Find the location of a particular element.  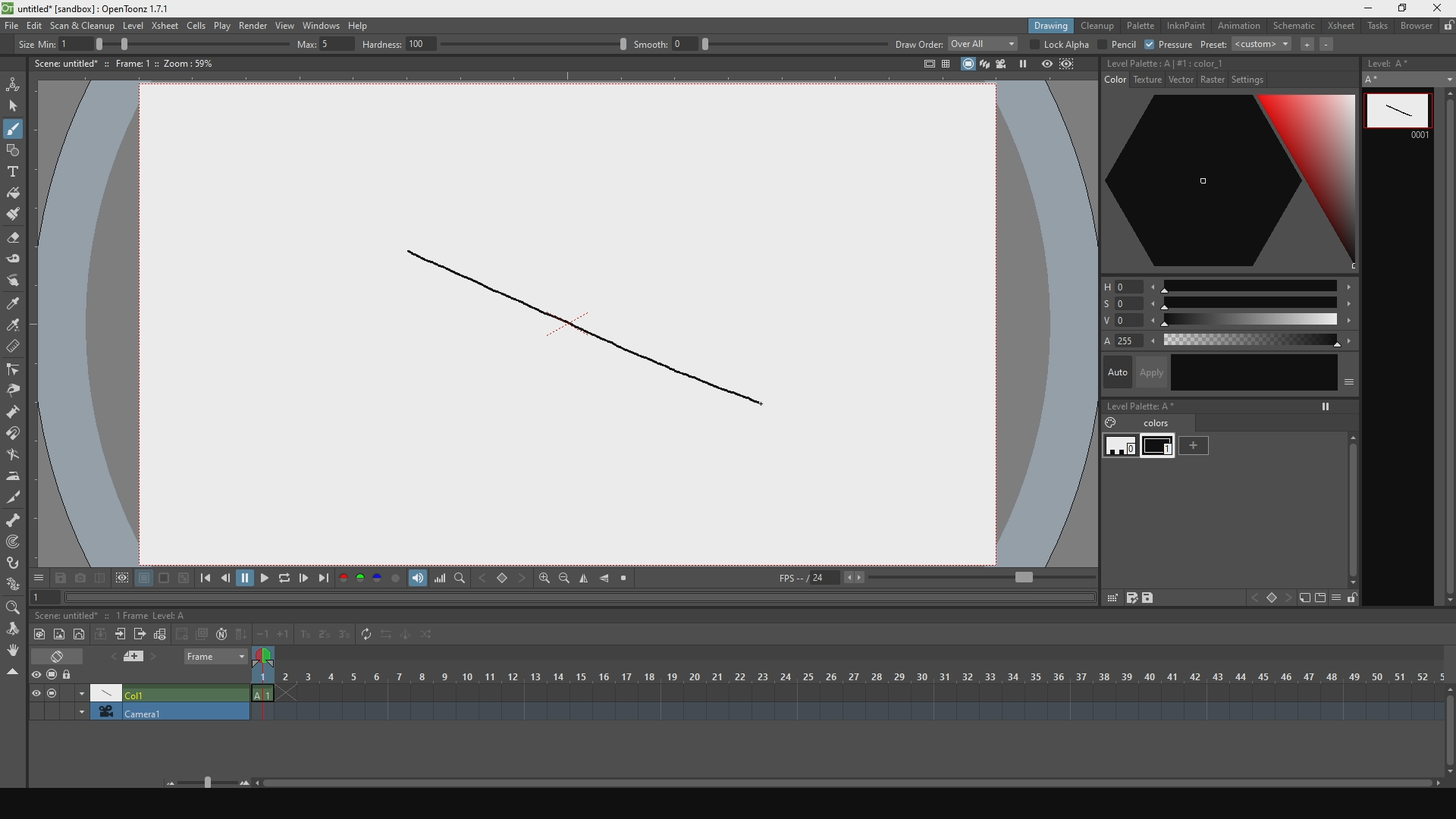

hue is located at coordinates (1223, 288).